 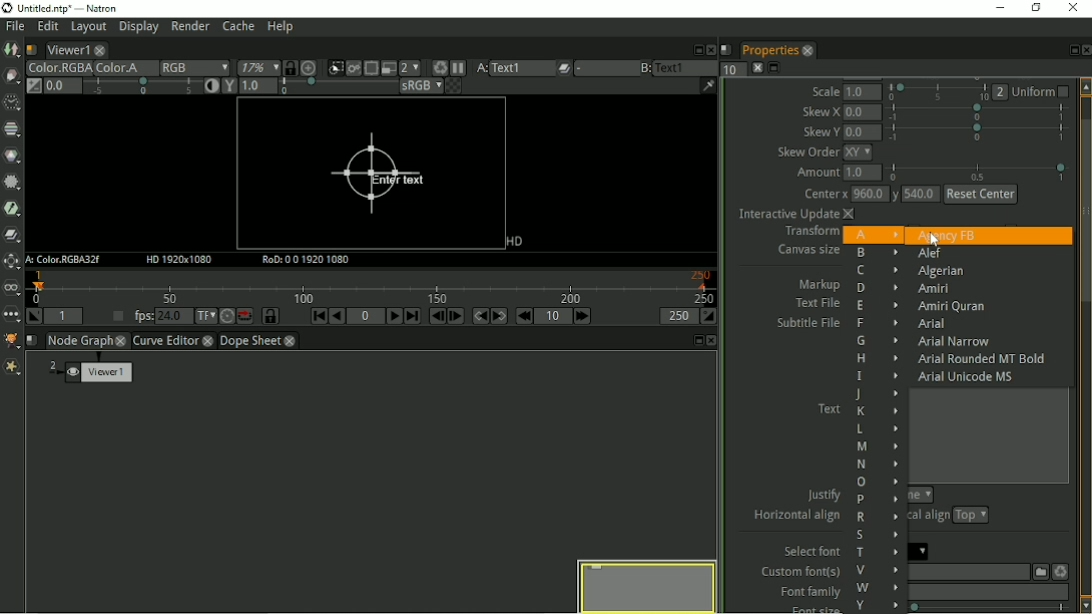 I want to click on 2, so click(x=1001, y=92).